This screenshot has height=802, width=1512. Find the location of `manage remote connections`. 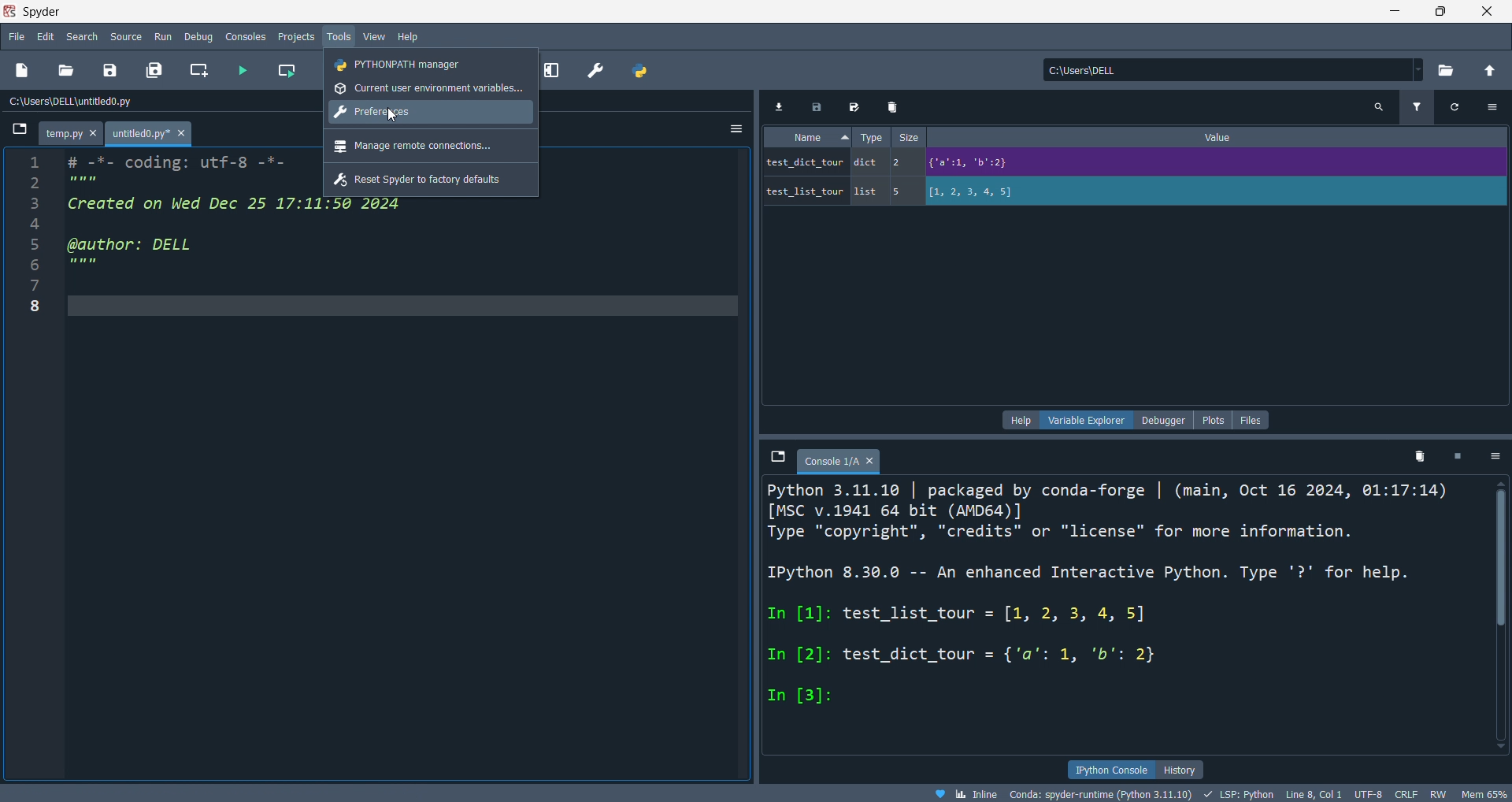

manage remote connections is located at coordinates (432, 147).